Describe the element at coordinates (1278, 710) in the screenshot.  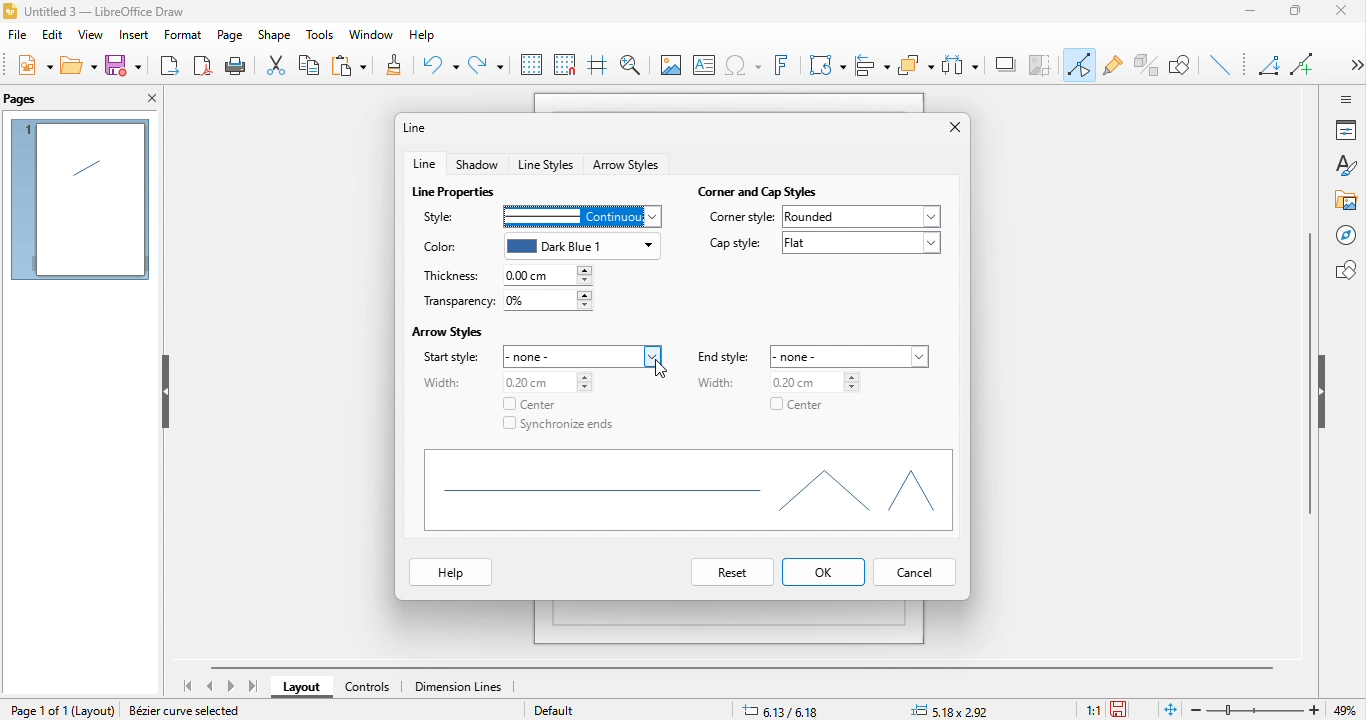
I see `zoom` at that location.